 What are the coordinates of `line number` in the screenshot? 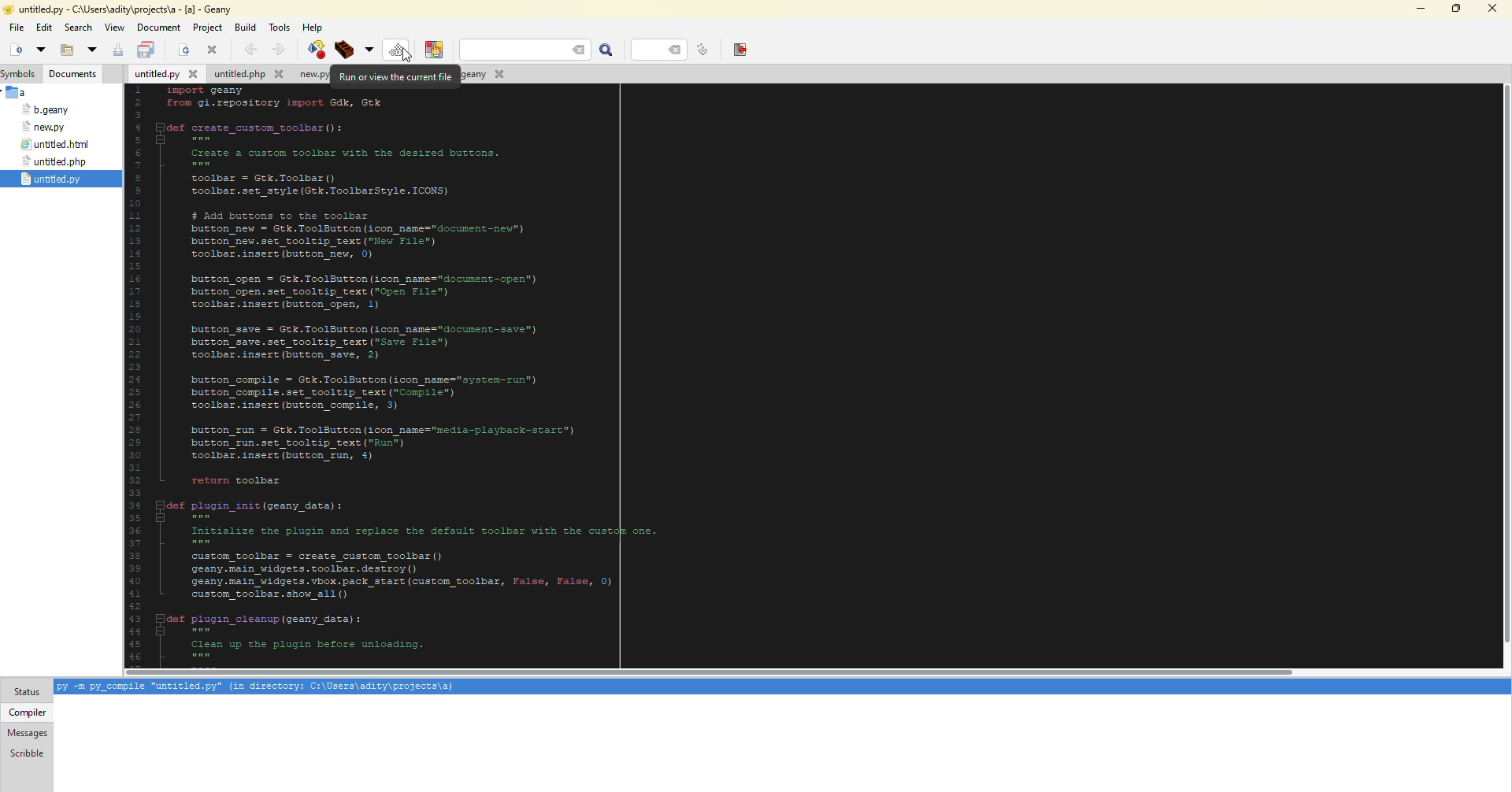 It's located at (658, 50).